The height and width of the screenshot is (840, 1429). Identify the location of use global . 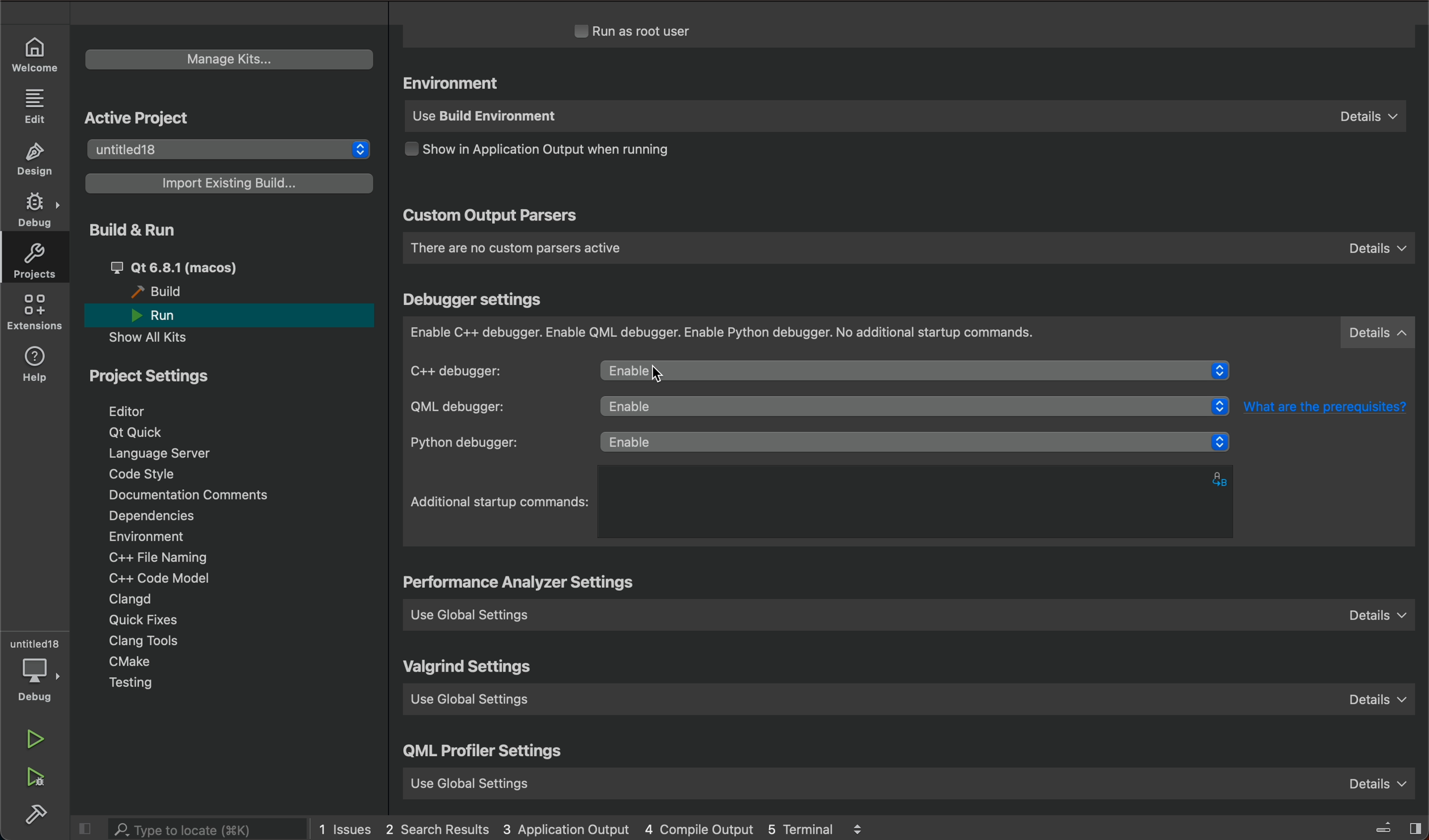
(916, 614).